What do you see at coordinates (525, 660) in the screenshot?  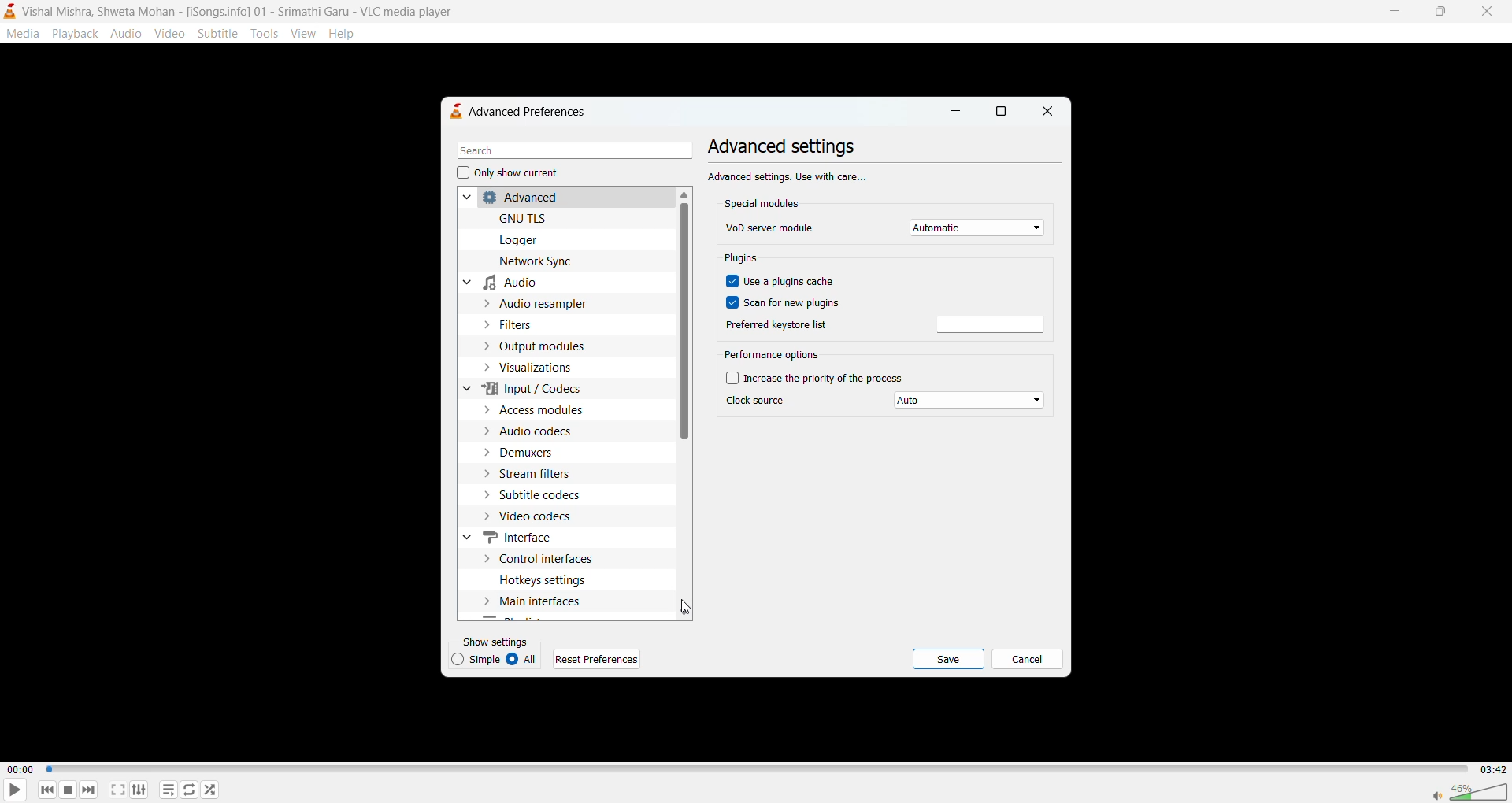 I see `all` at bounding box center [525, 660].